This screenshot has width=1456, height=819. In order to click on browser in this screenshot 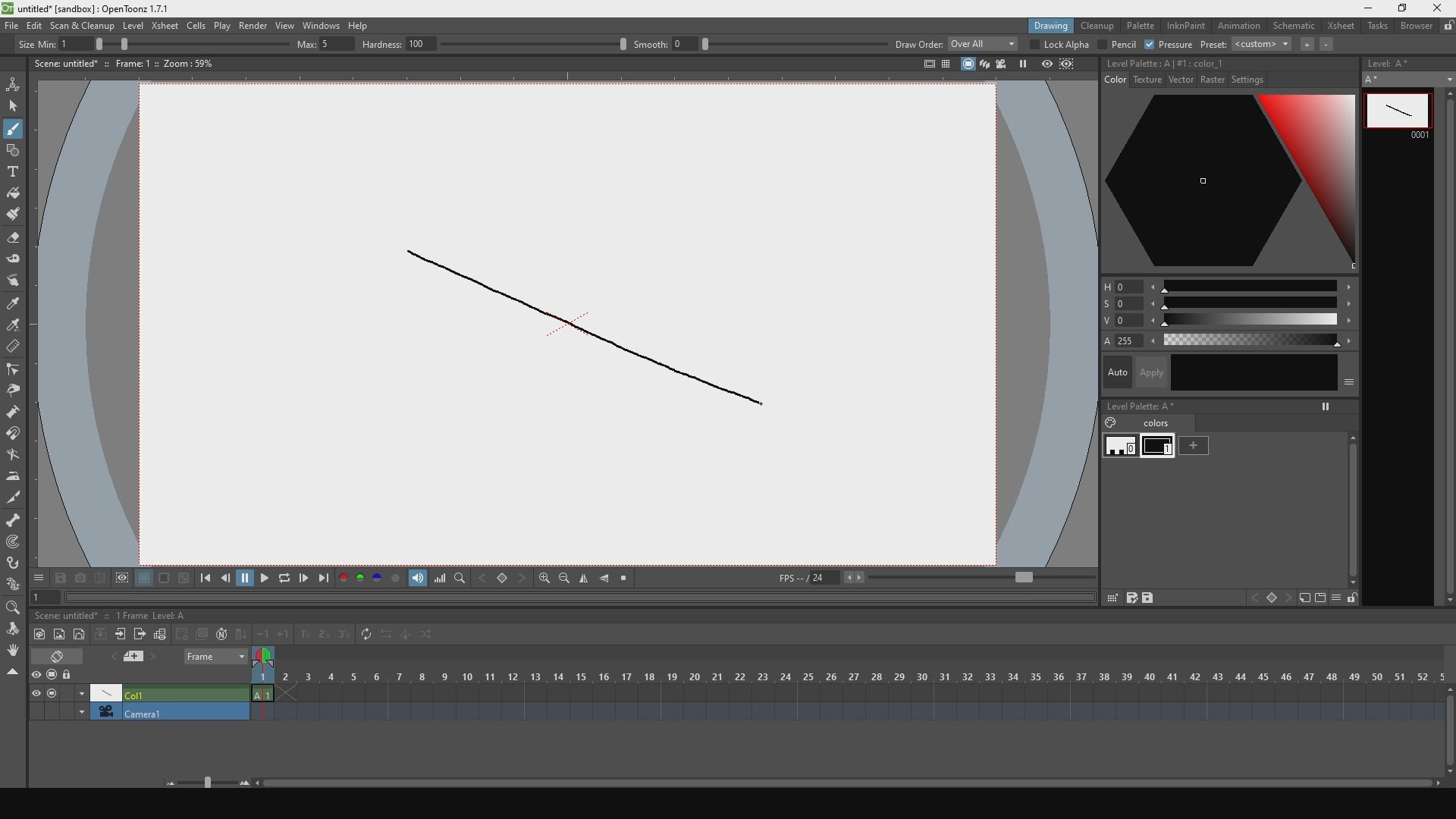, I will do `click(1417, 29)`.